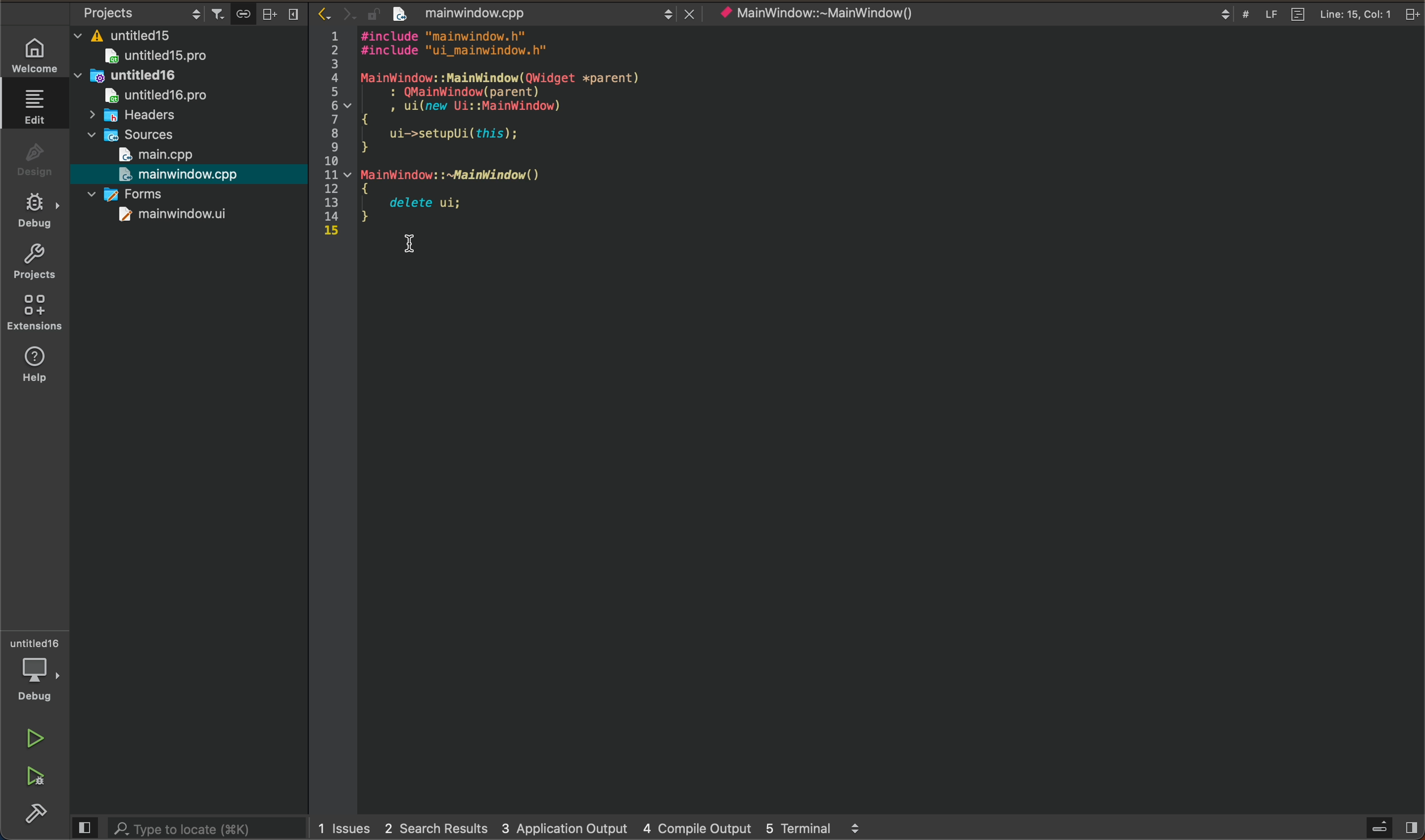 Image resolution: width=1425 pixels, height=840 pixels. Describe the element at coordinates (266, 13) in the screenshot. I see `Arrange` at that location.